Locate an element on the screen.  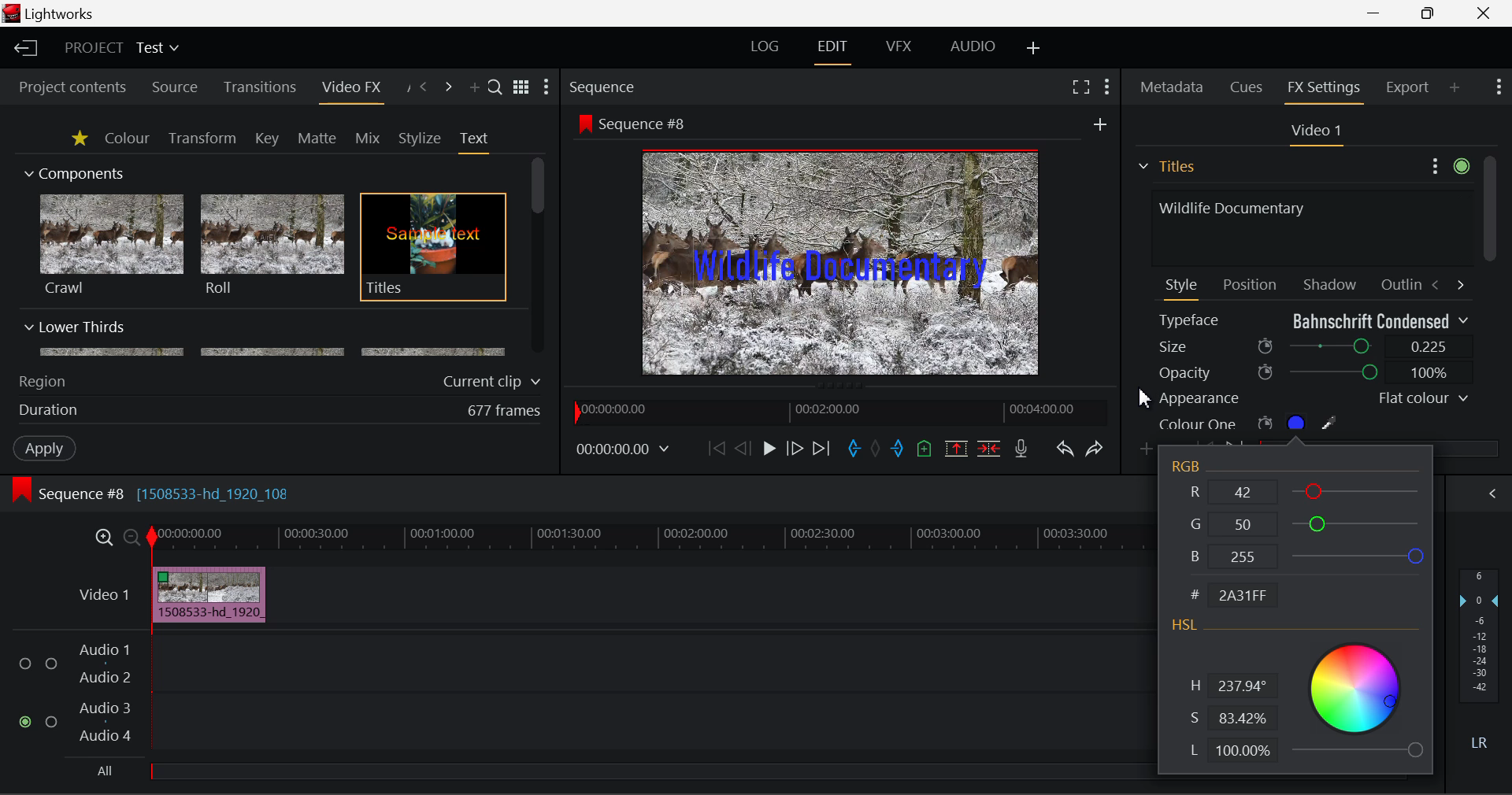
Cues is located at coordinates (1248, 87).